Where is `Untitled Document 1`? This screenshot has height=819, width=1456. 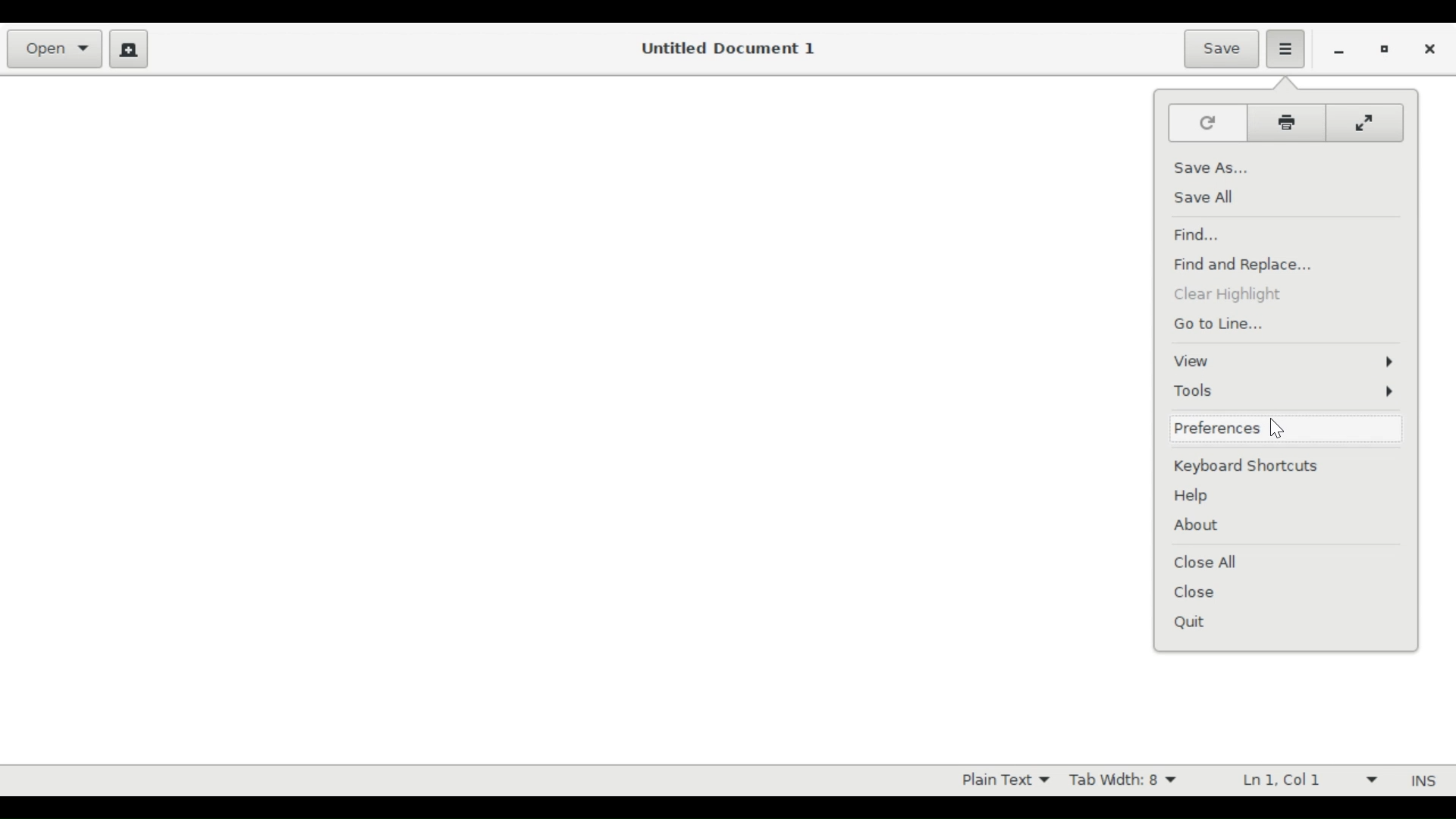 Untitled Document 1 is located at coordinates (728, 49).